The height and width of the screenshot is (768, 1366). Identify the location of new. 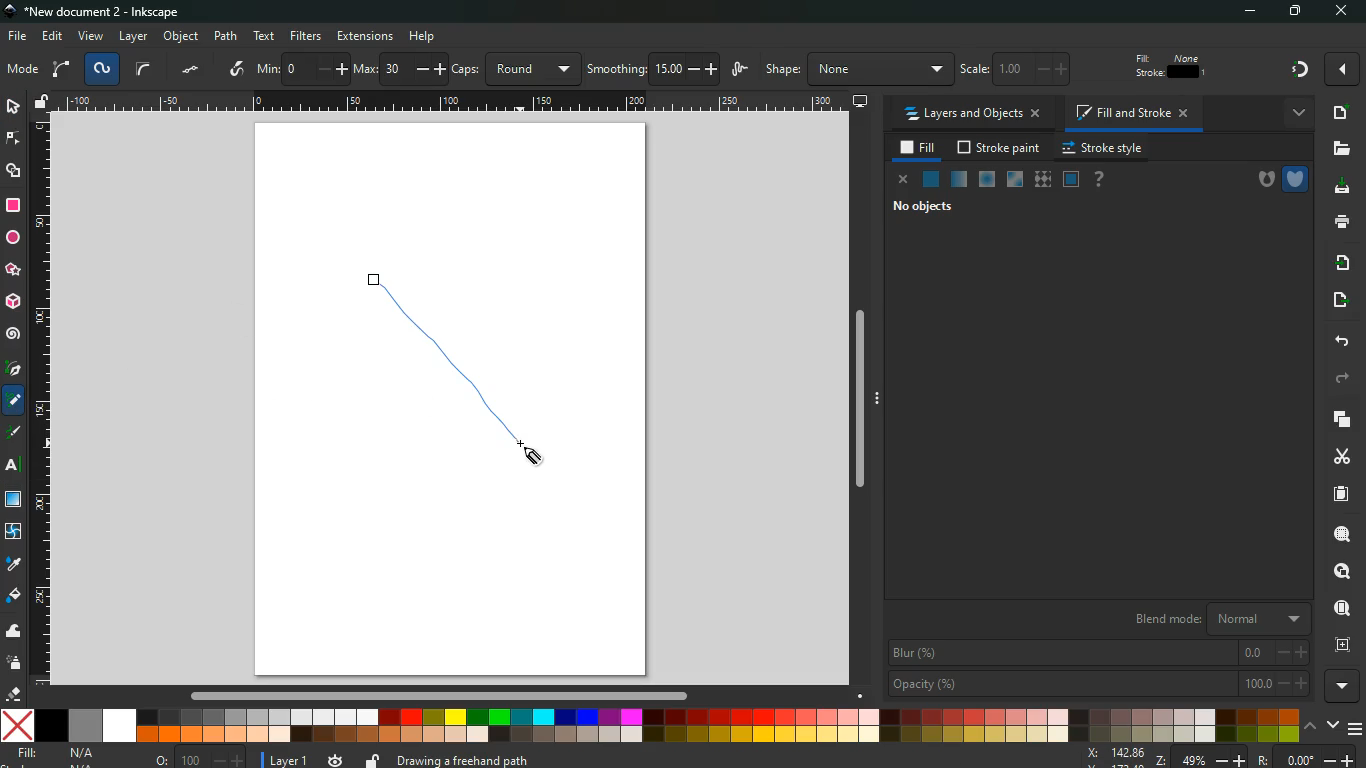
(1341, 112).